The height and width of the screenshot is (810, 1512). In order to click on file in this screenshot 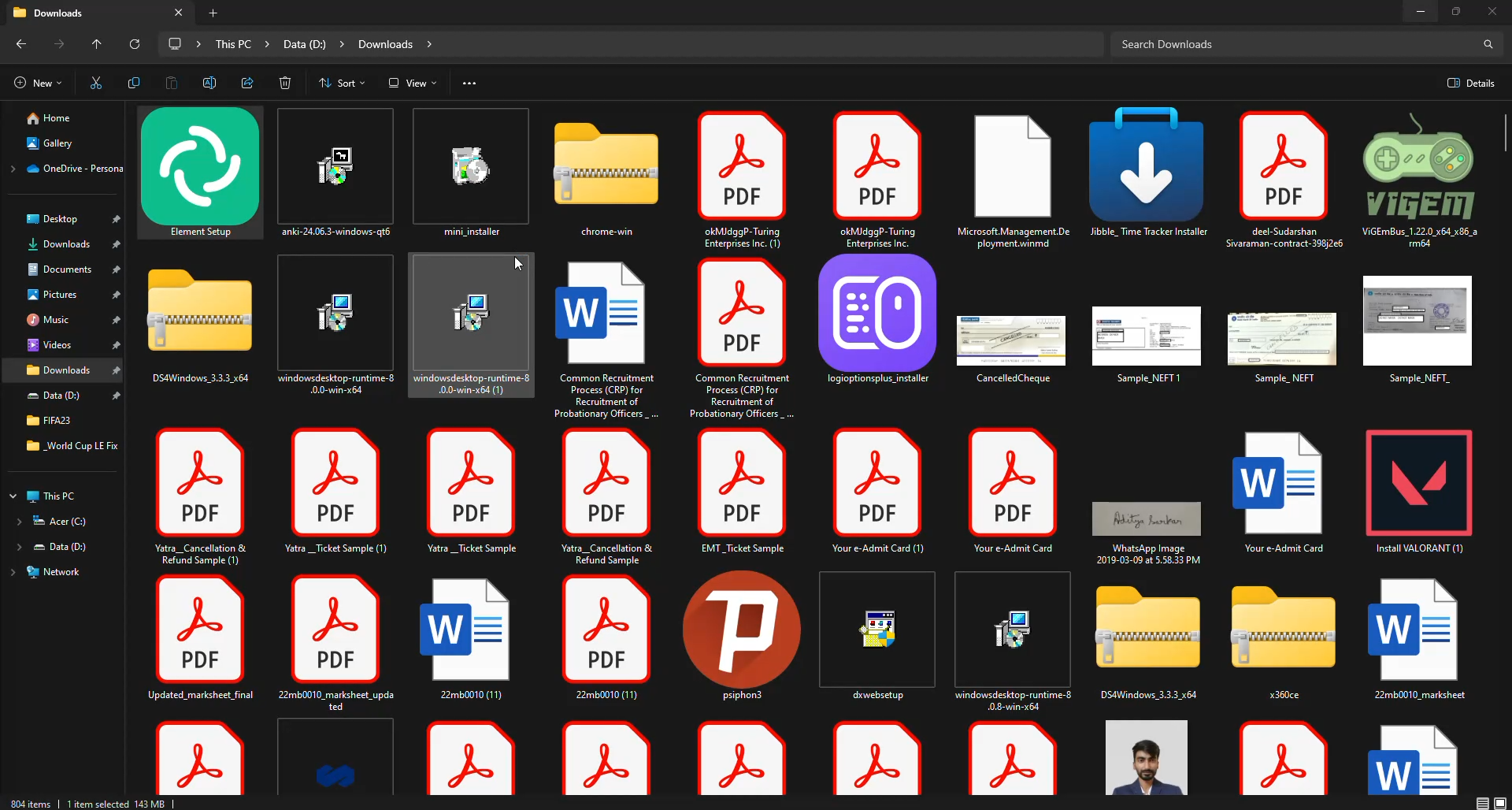, I will do `click(880, 756)`.